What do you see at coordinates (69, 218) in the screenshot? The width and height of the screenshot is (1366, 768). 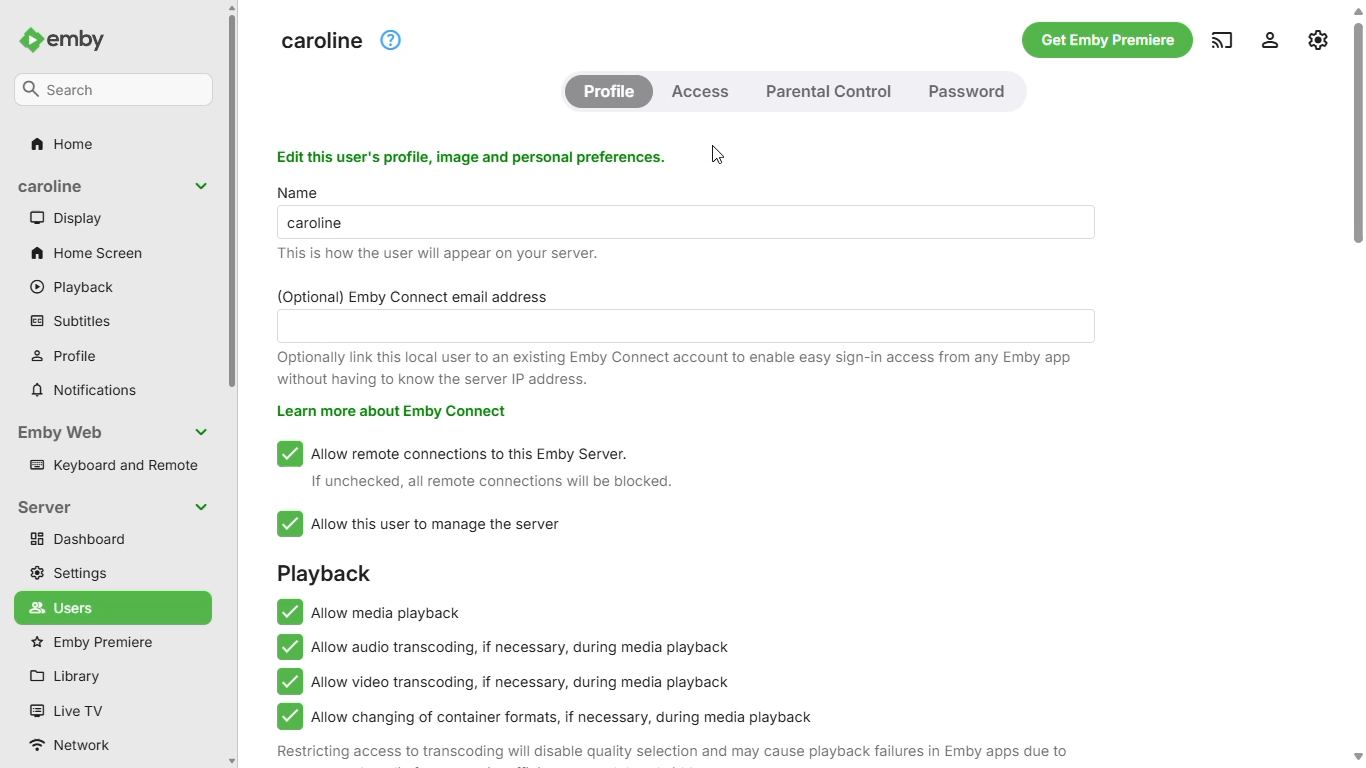 I see `display` at bounding box center [69, 218].